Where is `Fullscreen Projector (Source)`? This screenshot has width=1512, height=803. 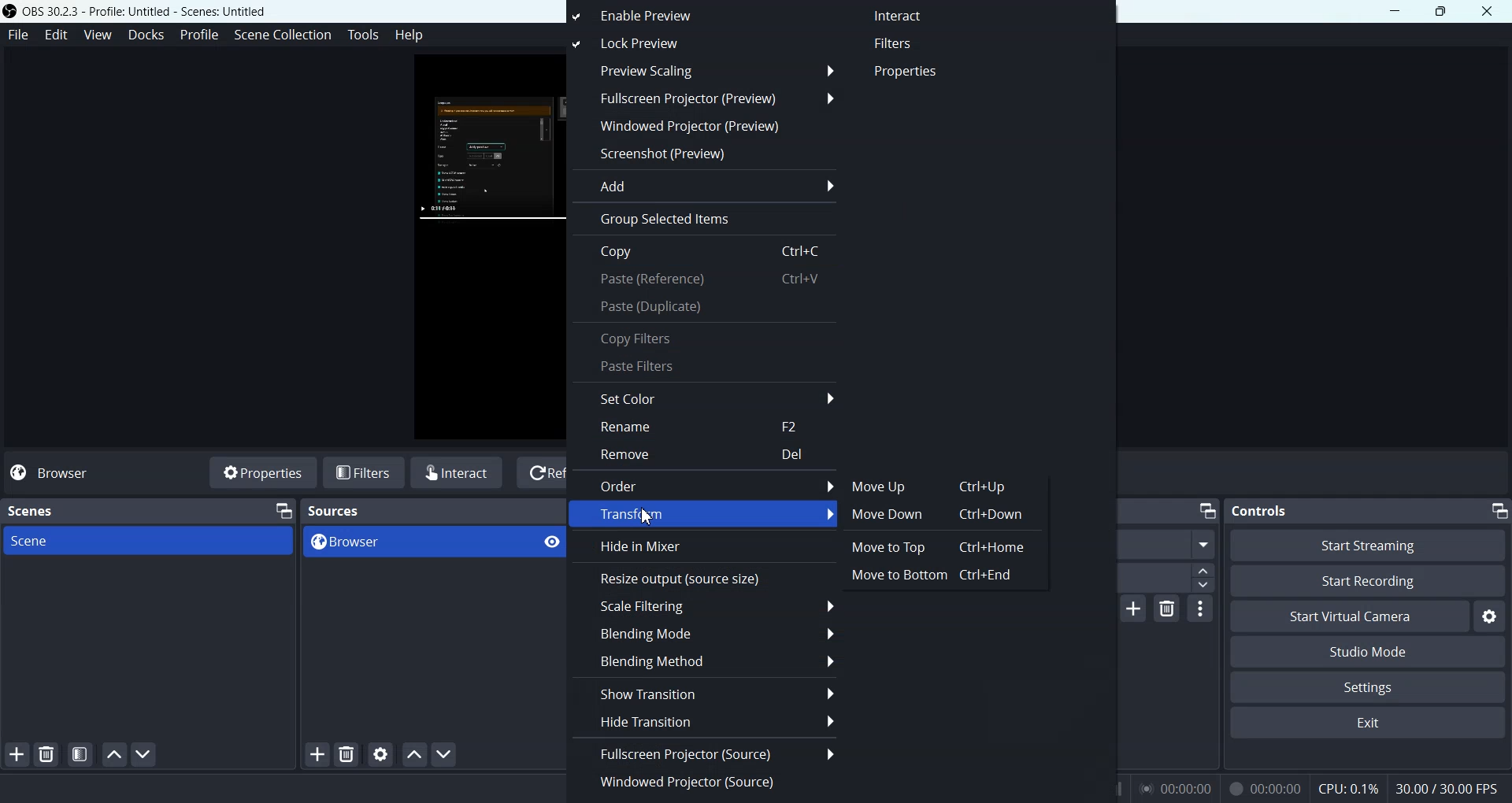 Fullscreen Projector (Source) is located at coordinates (704, 753).